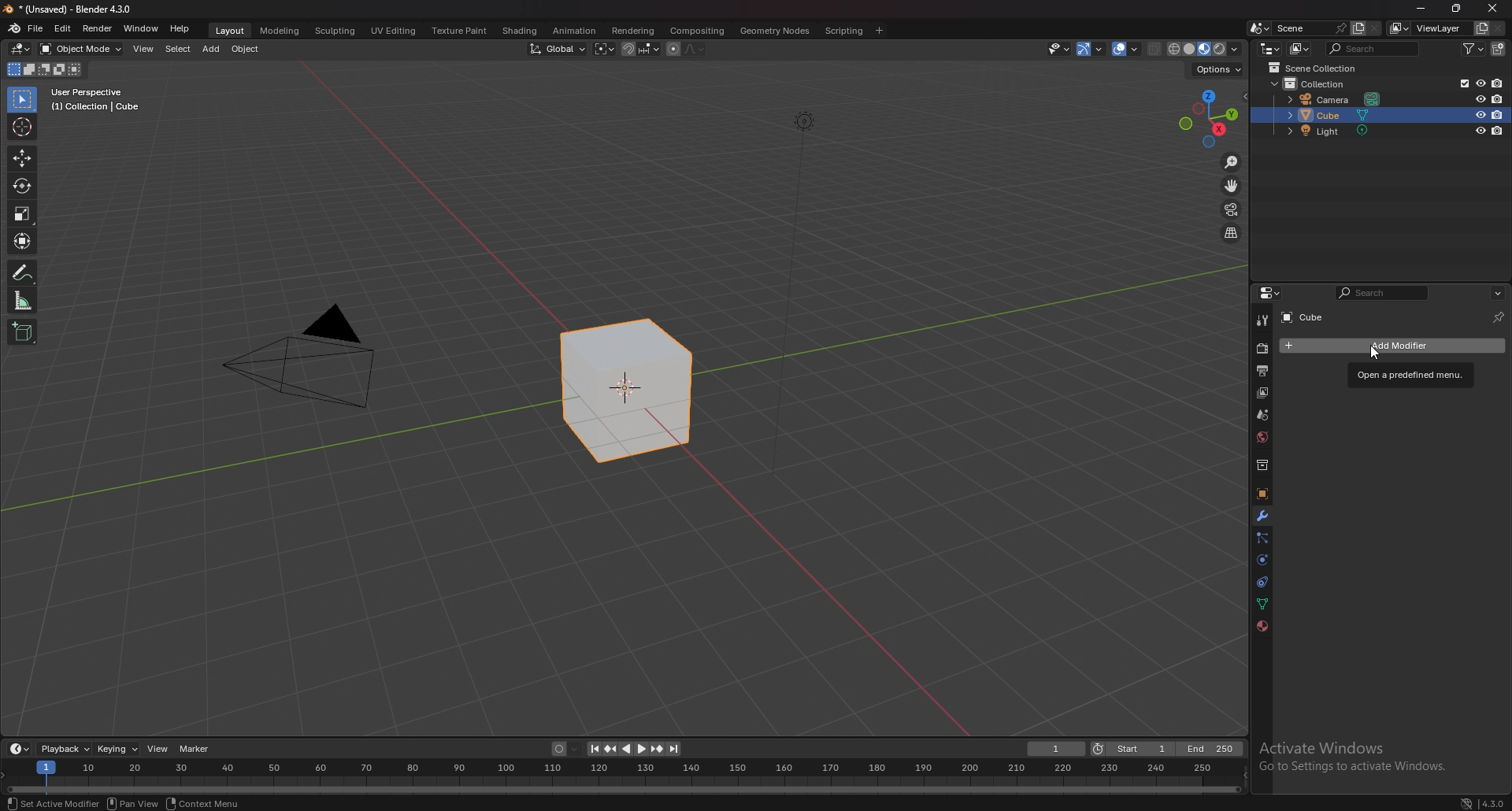 This screenshot has height=811, width=1512. I want to click on disable in renders, so click(1497, 114).